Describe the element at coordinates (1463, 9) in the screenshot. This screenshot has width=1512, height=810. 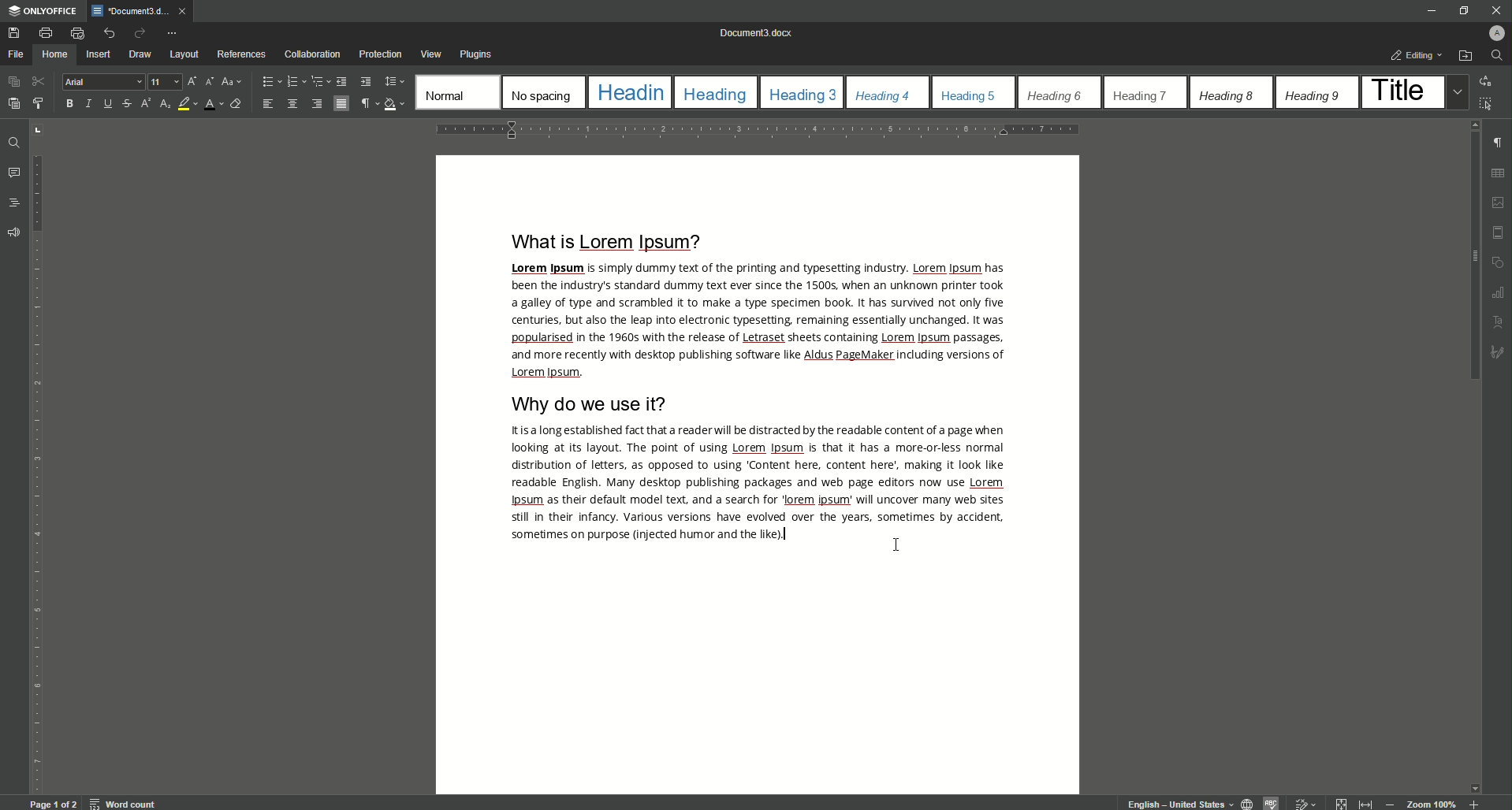
I see `Restore` at that location.